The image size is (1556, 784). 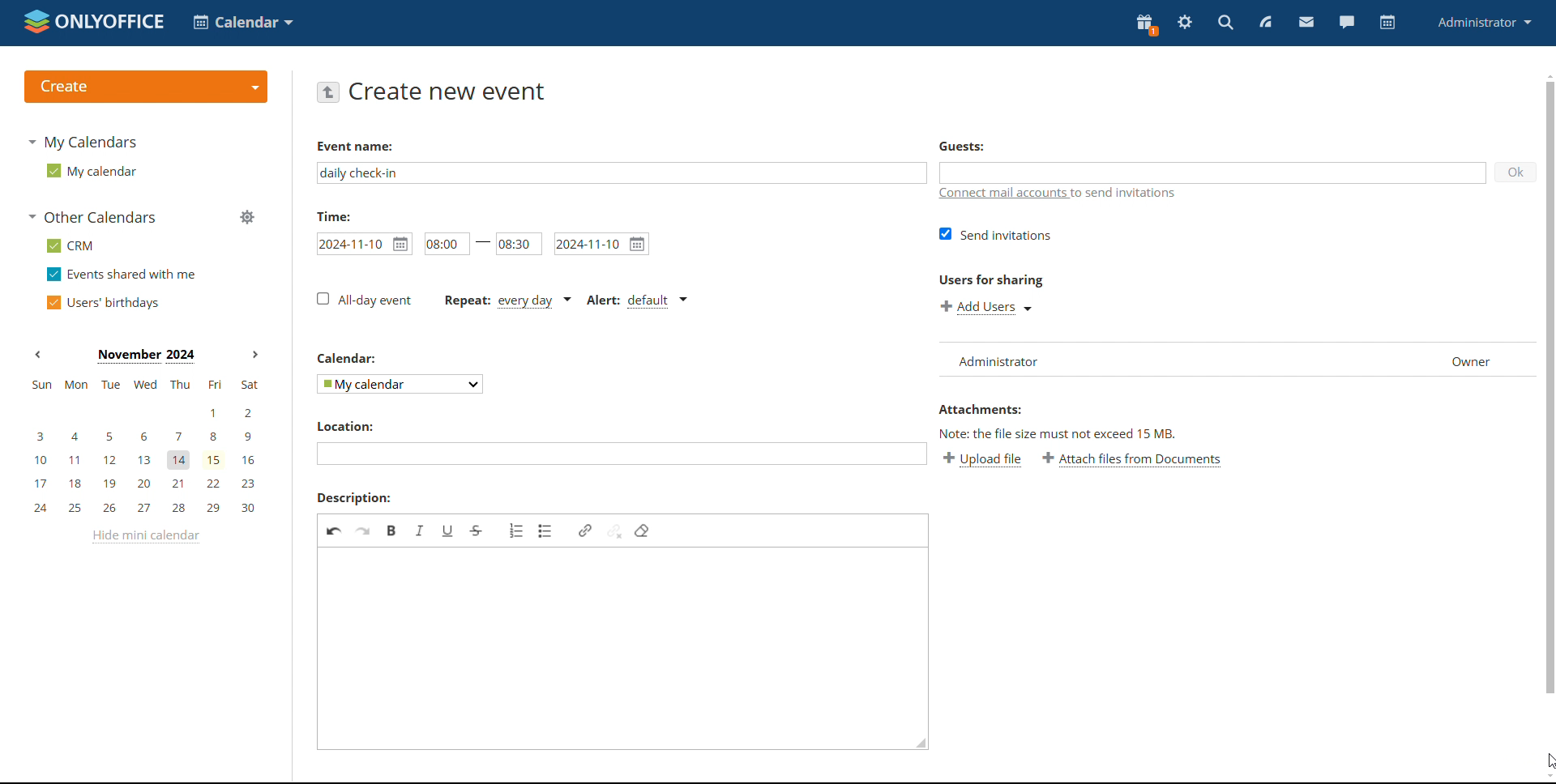 What do you see at coordinates (144, 355) in the screenshot?
I see `current month` at bounding box center [144, 355].